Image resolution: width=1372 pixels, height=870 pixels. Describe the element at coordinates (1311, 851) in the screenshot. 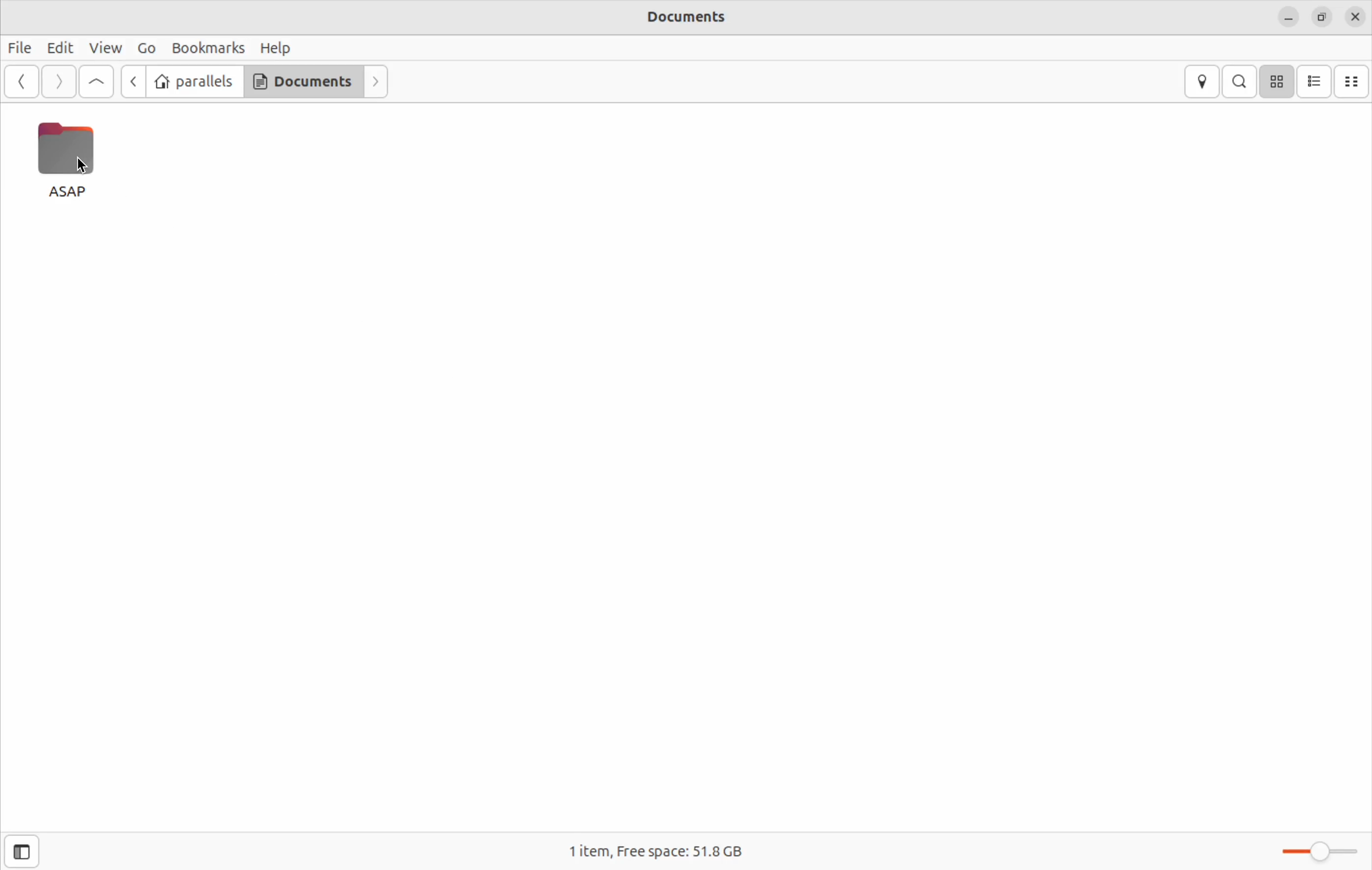

I see `Zoom` at that location.